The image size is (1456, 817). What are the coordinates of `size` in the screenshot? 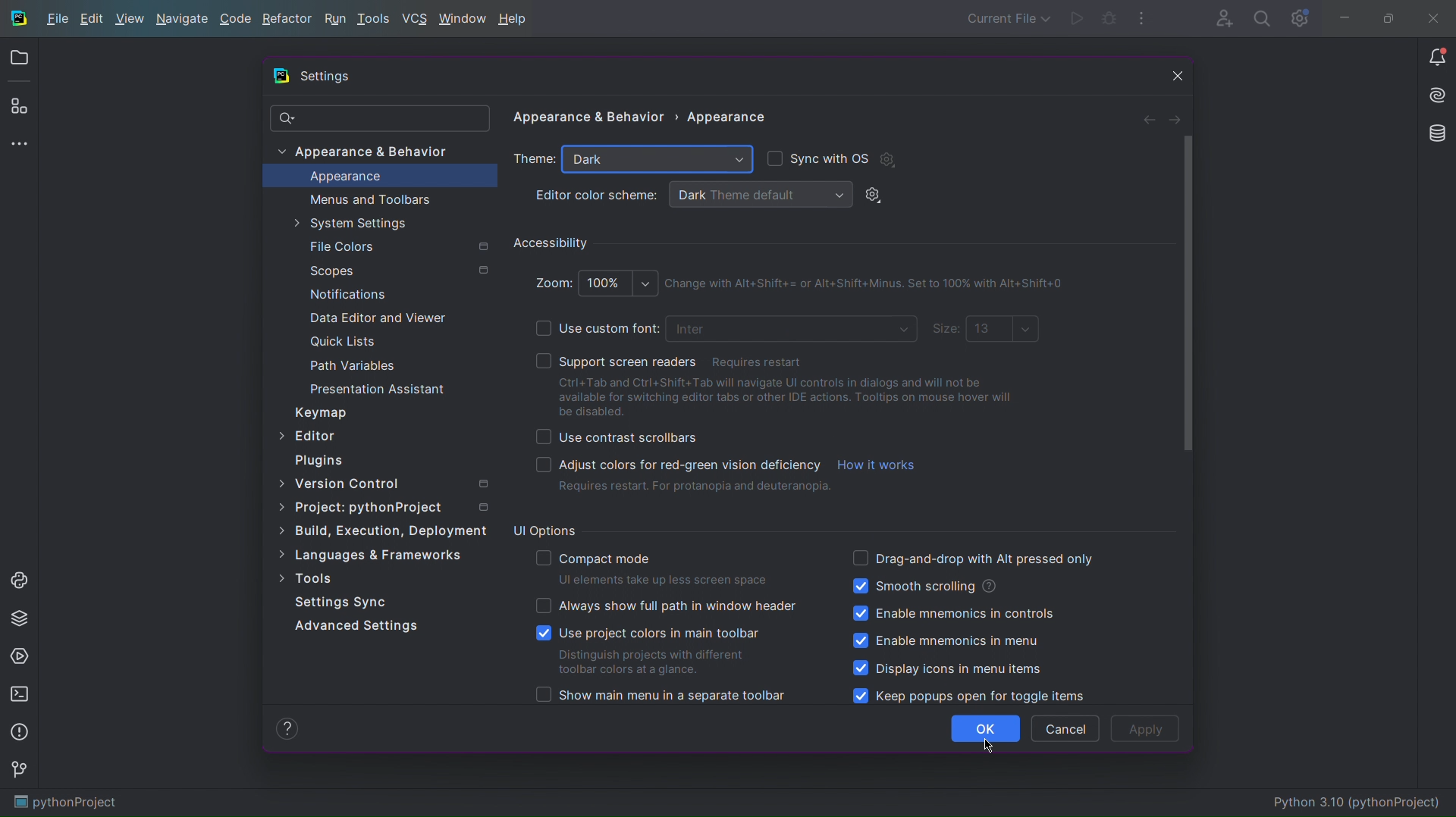 It's located at (985, 330).